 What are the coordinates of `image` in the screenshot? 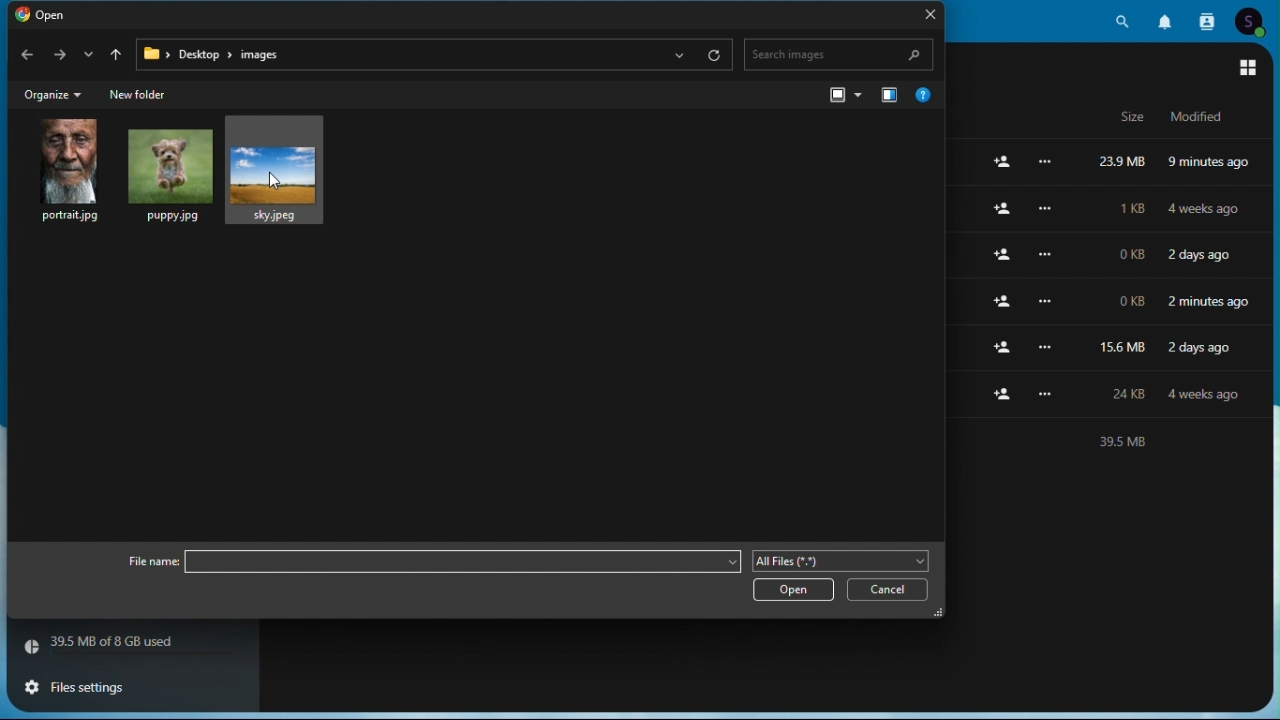 It's located at (66, 171).